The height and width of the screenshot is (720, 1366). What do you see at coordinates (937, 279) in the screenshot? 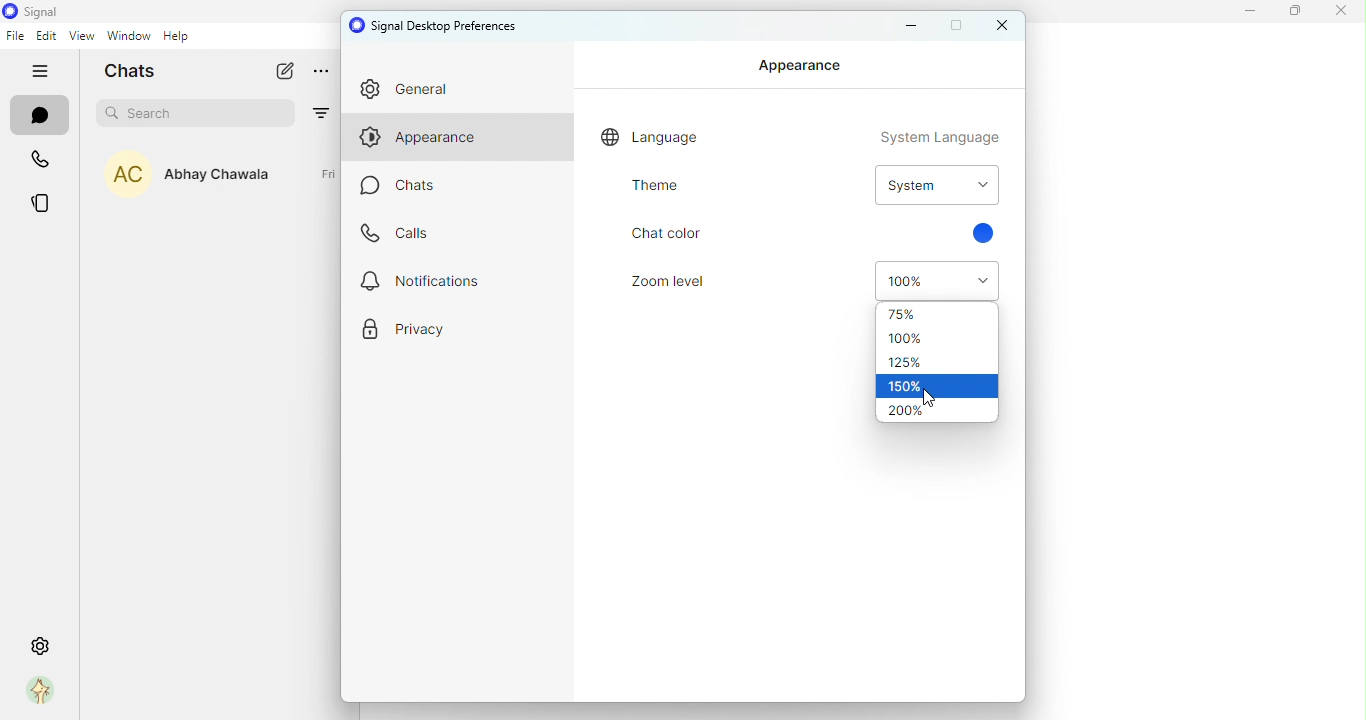
I see `100%` at bounding box center [937, 279].